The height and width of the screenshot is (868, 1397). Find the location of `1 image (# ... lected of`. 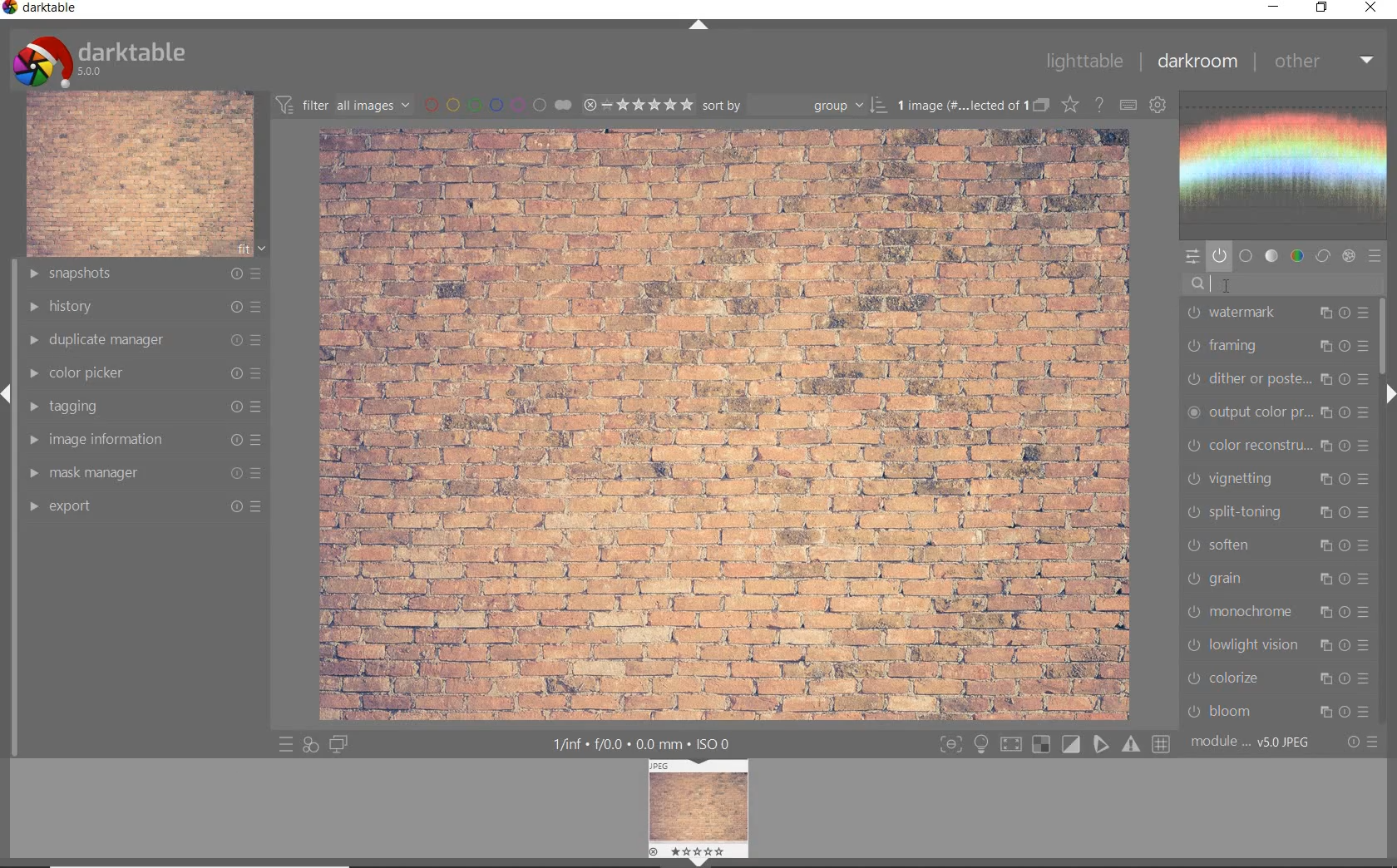

1 image (# ... lected of is located at coordinates (959, 104).